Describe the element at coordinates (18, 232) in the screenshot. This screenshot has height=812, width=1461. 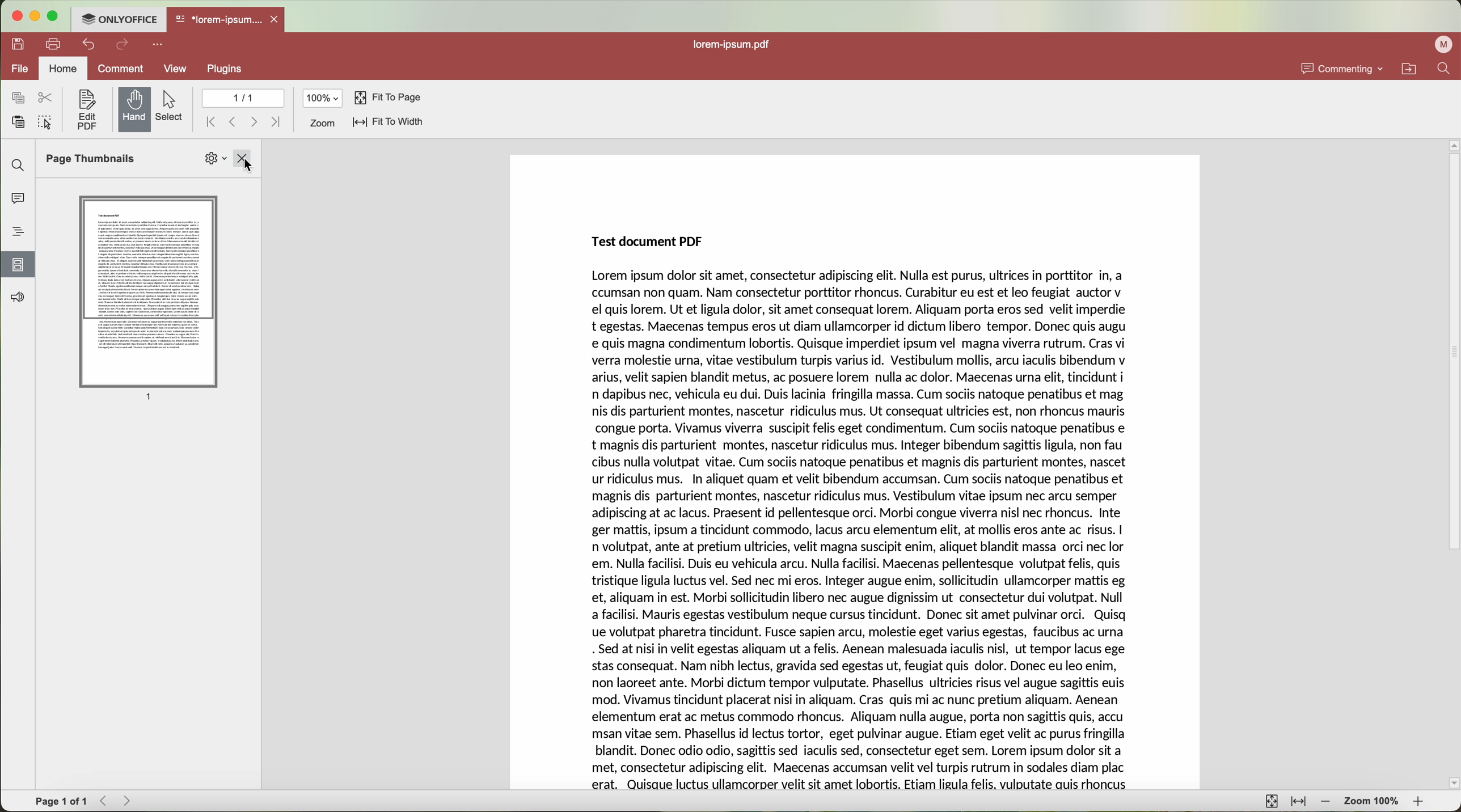
I see `headings` at that location.